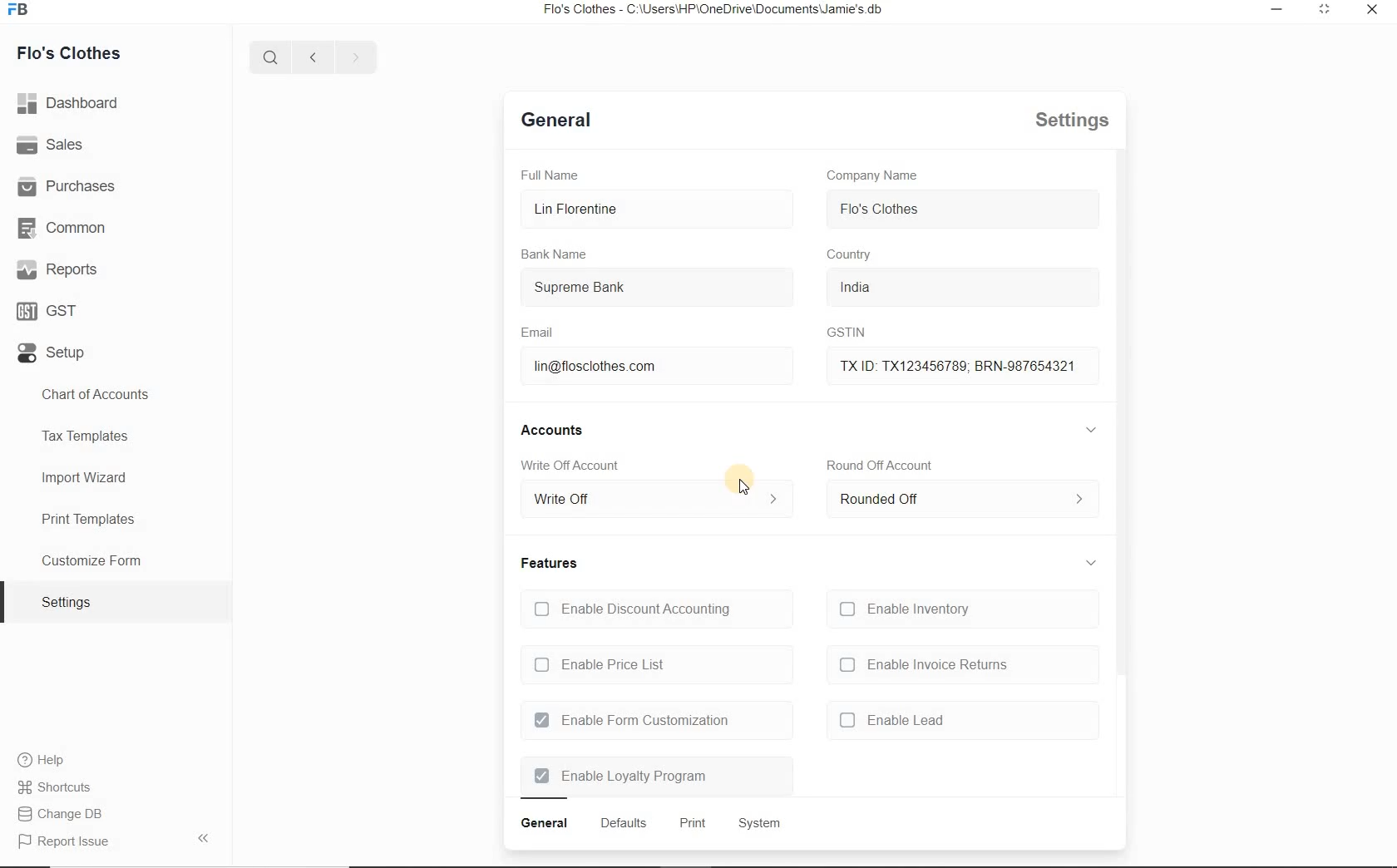 This screenshot has width=1397, height=868. What do you see at coordinates (1325, 12) in the screenshot?
I see `minimize` at bounding box center [1325, 12].